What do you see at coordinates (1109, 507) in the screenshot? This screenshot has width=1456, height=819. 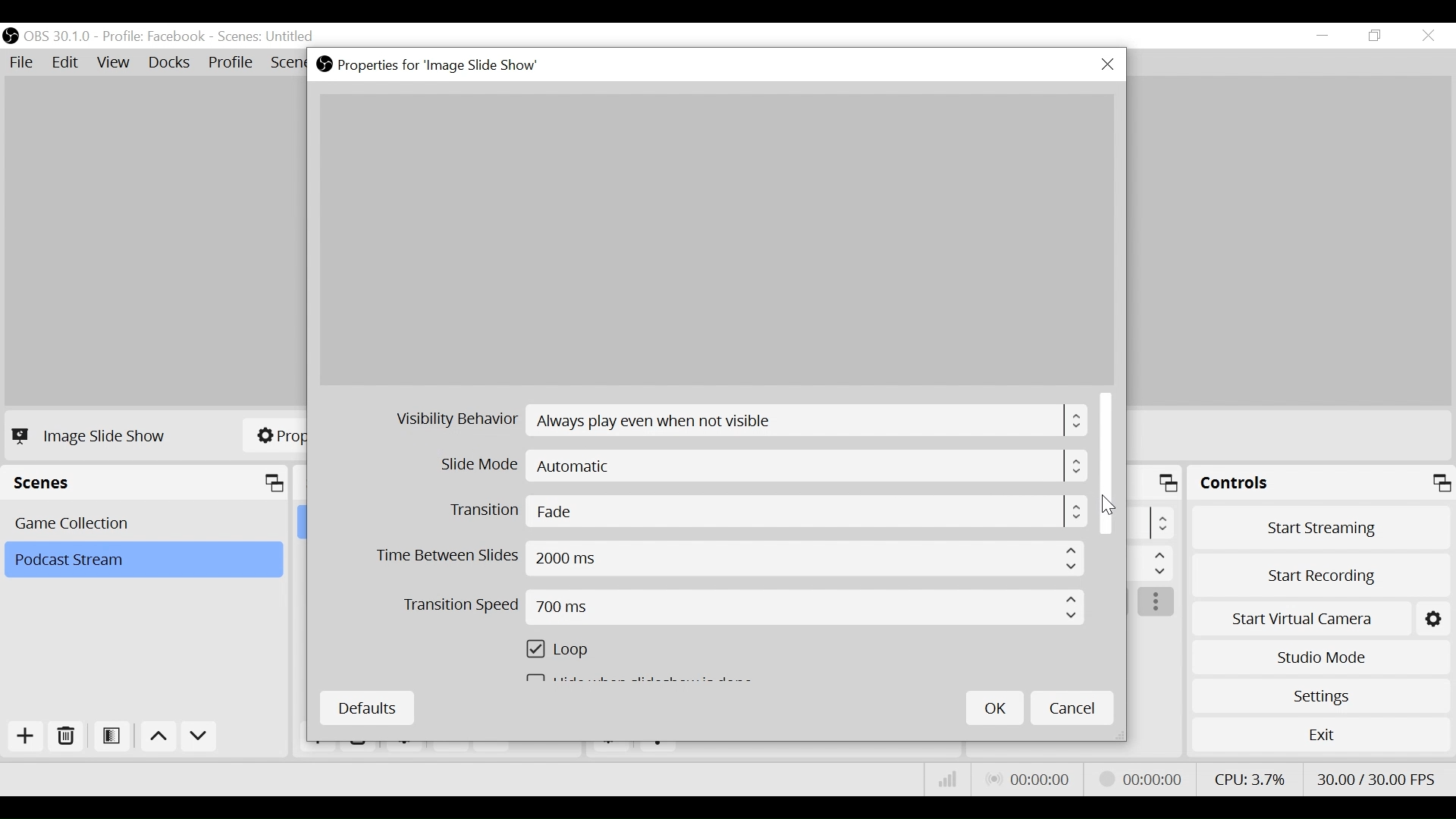 I see `Cursor` at bounding box center [1109, 507].